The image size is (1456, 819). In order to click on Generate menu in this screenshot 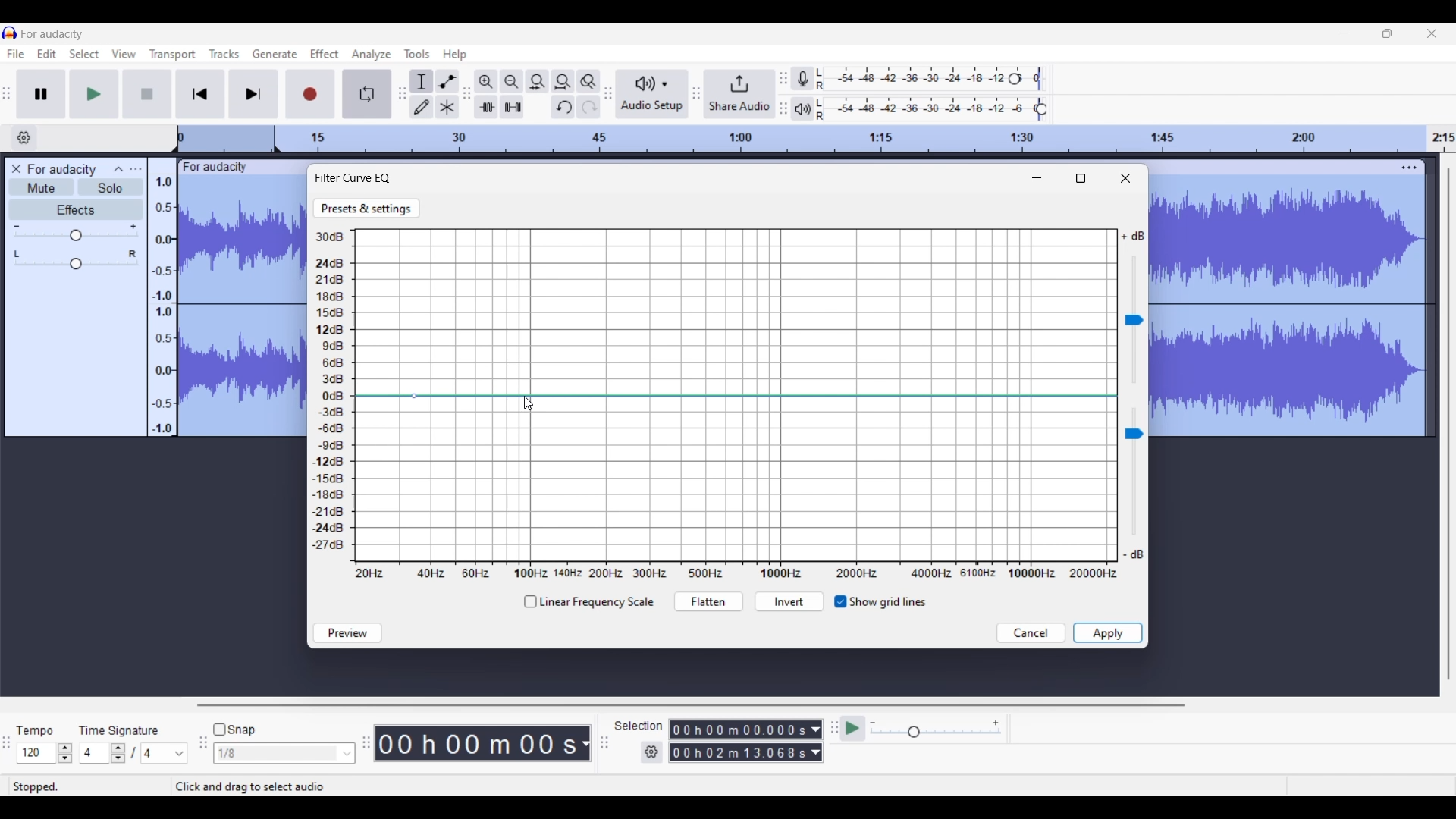, I will do `click(271, 55)`.